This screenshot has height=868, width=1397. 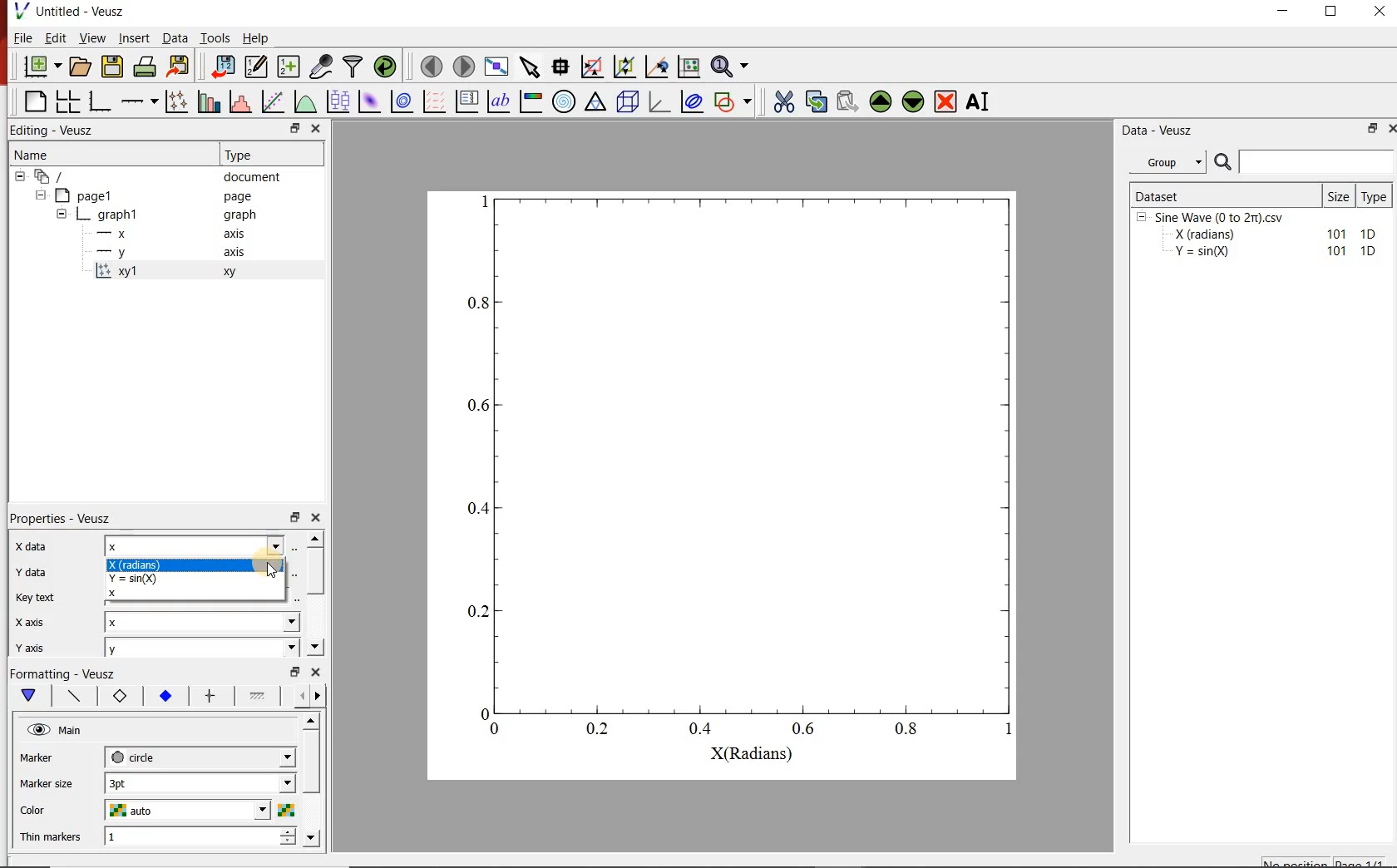 I want to click on xy, so click(x=116, y=696).